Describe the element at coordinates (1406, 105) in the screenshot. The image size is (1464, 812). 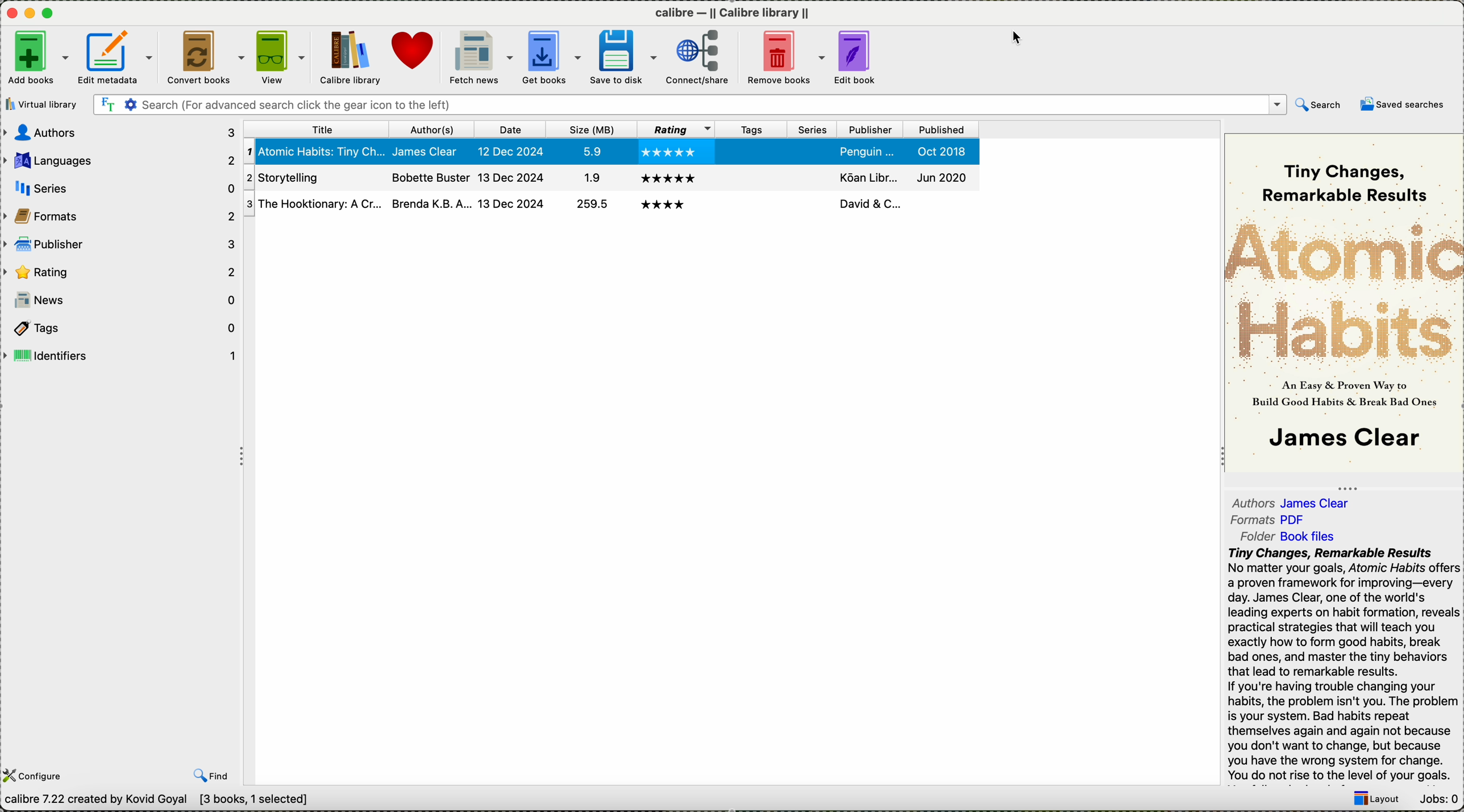
I see `saved searches` at that location.